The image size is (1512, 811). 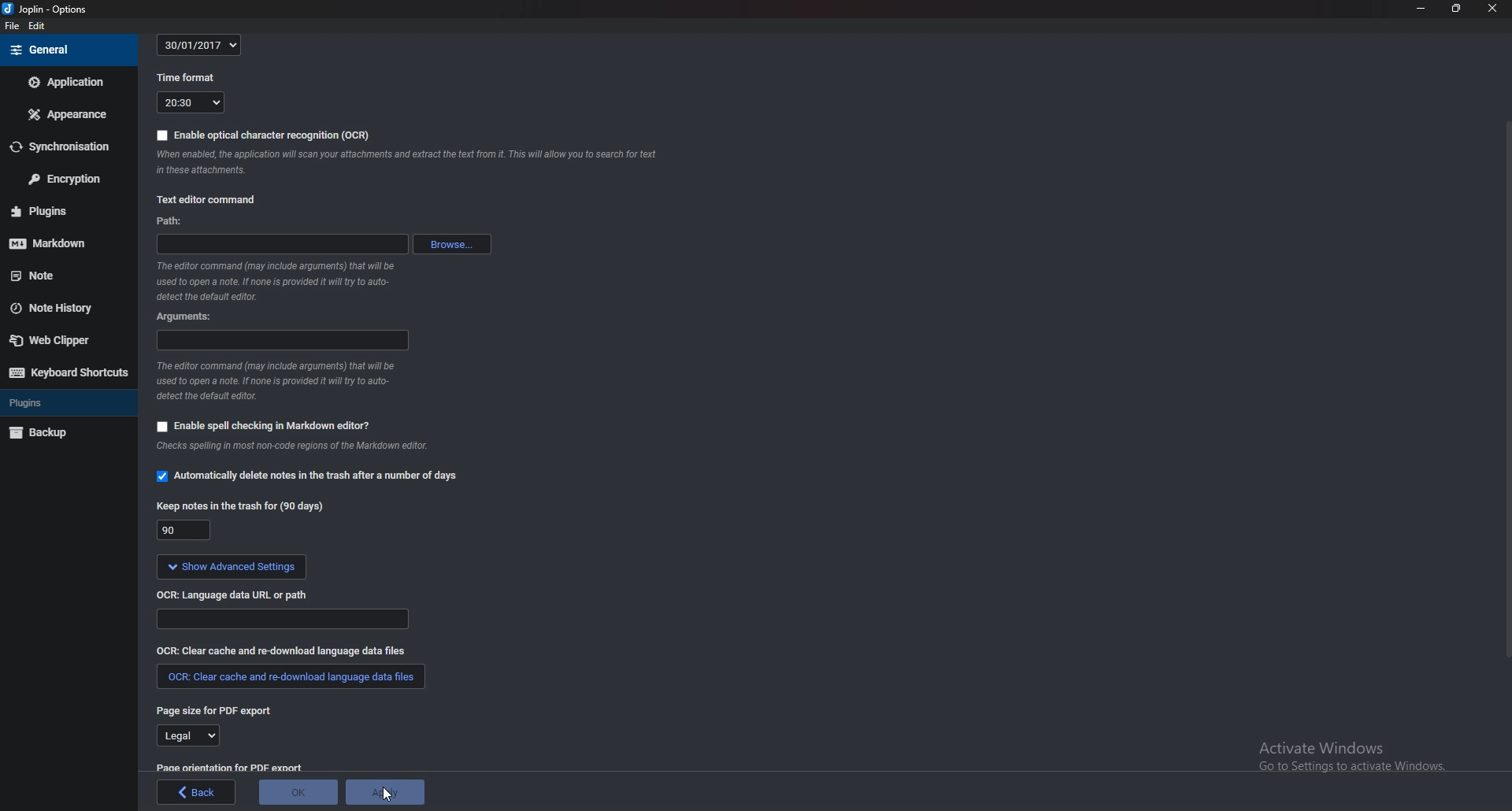 What do you see at coordinates (306, 476) in the screenshot?
I see `Automatically delete notes` at bounding box center [306, 476].